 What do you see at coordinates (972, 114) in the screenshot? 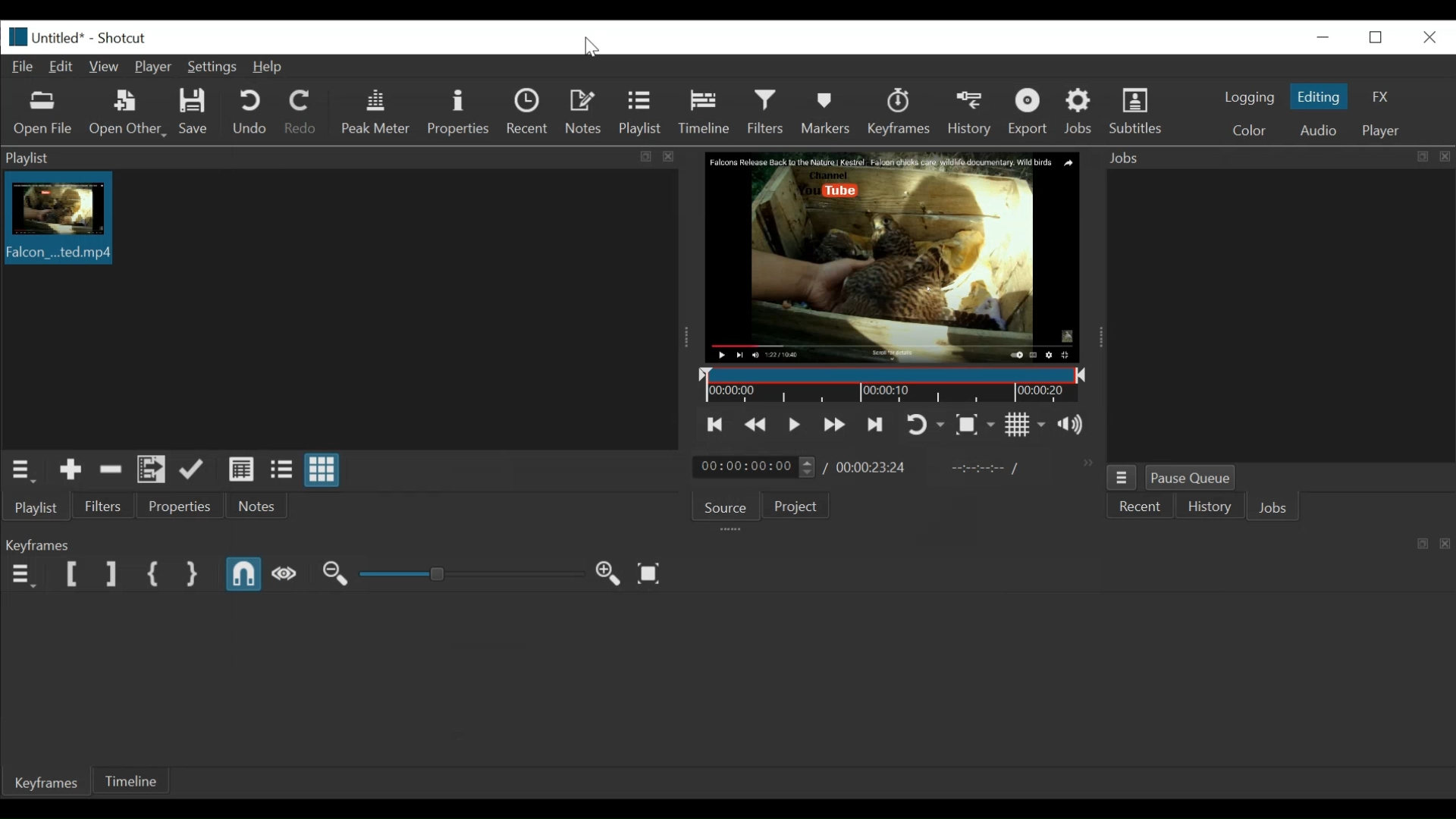
I see `History` at bounding box center [972, 114].